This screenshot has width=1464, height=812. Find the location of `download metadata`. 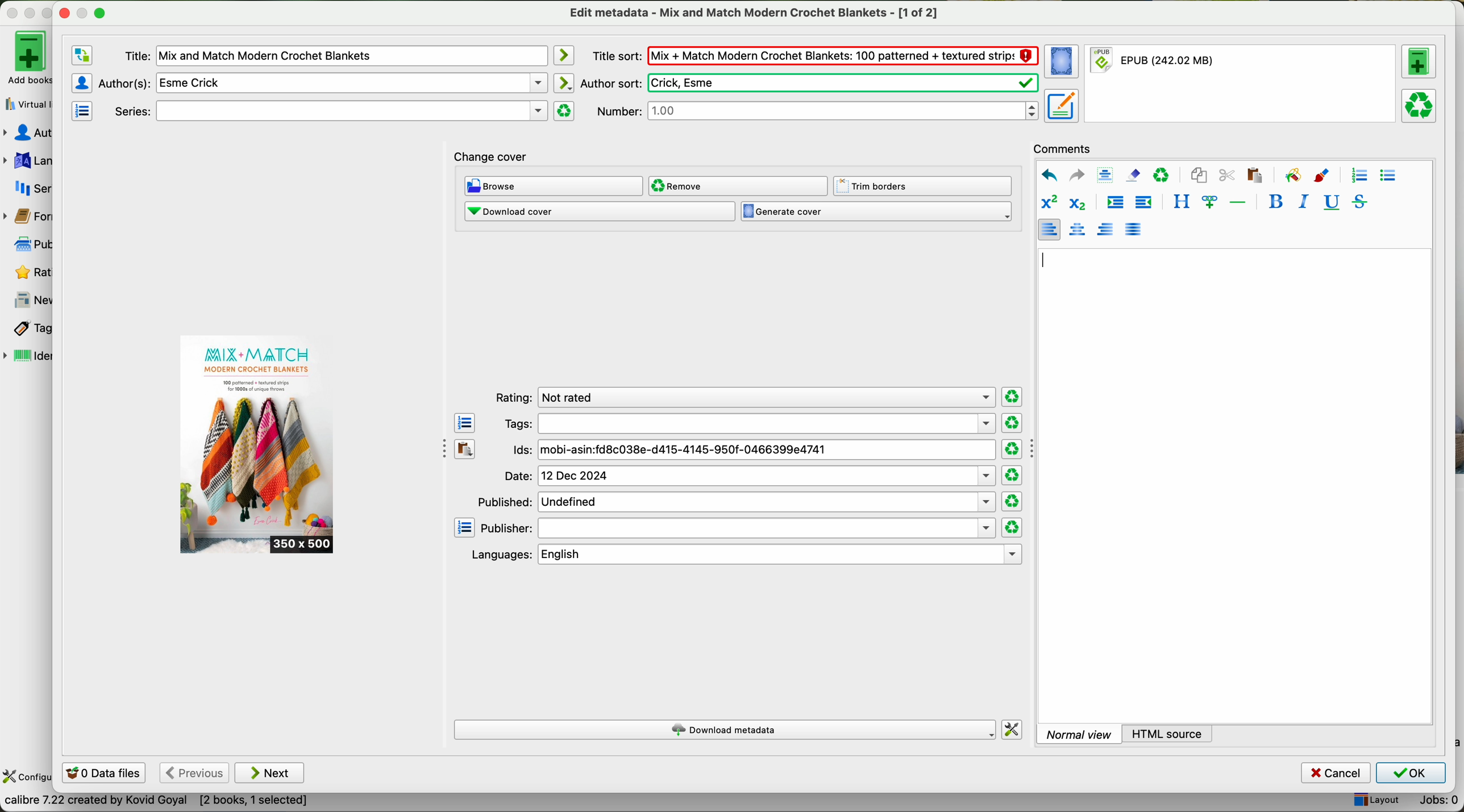

download metadata is located at coordinates (726, 731).